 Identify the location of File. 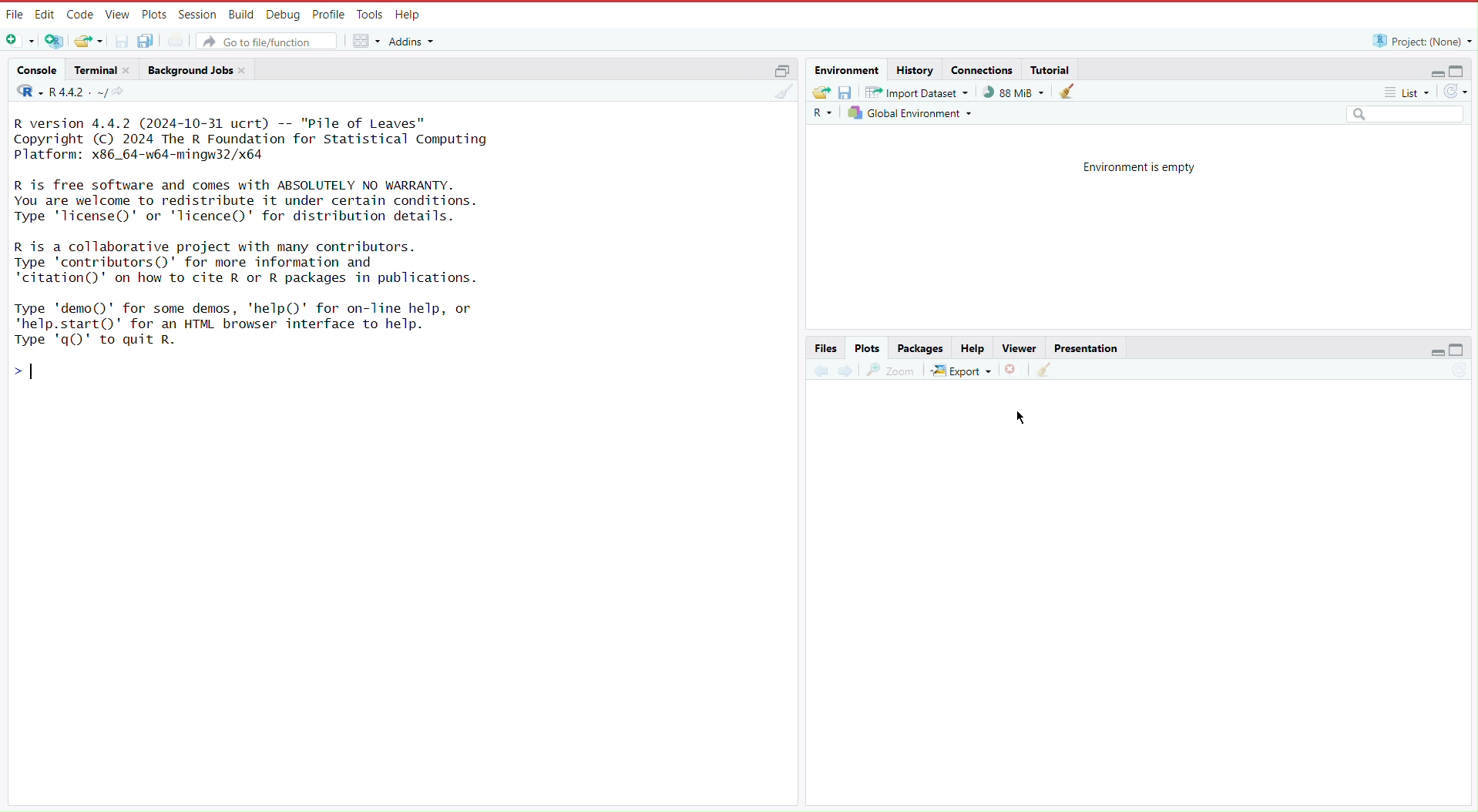
(14, 15).